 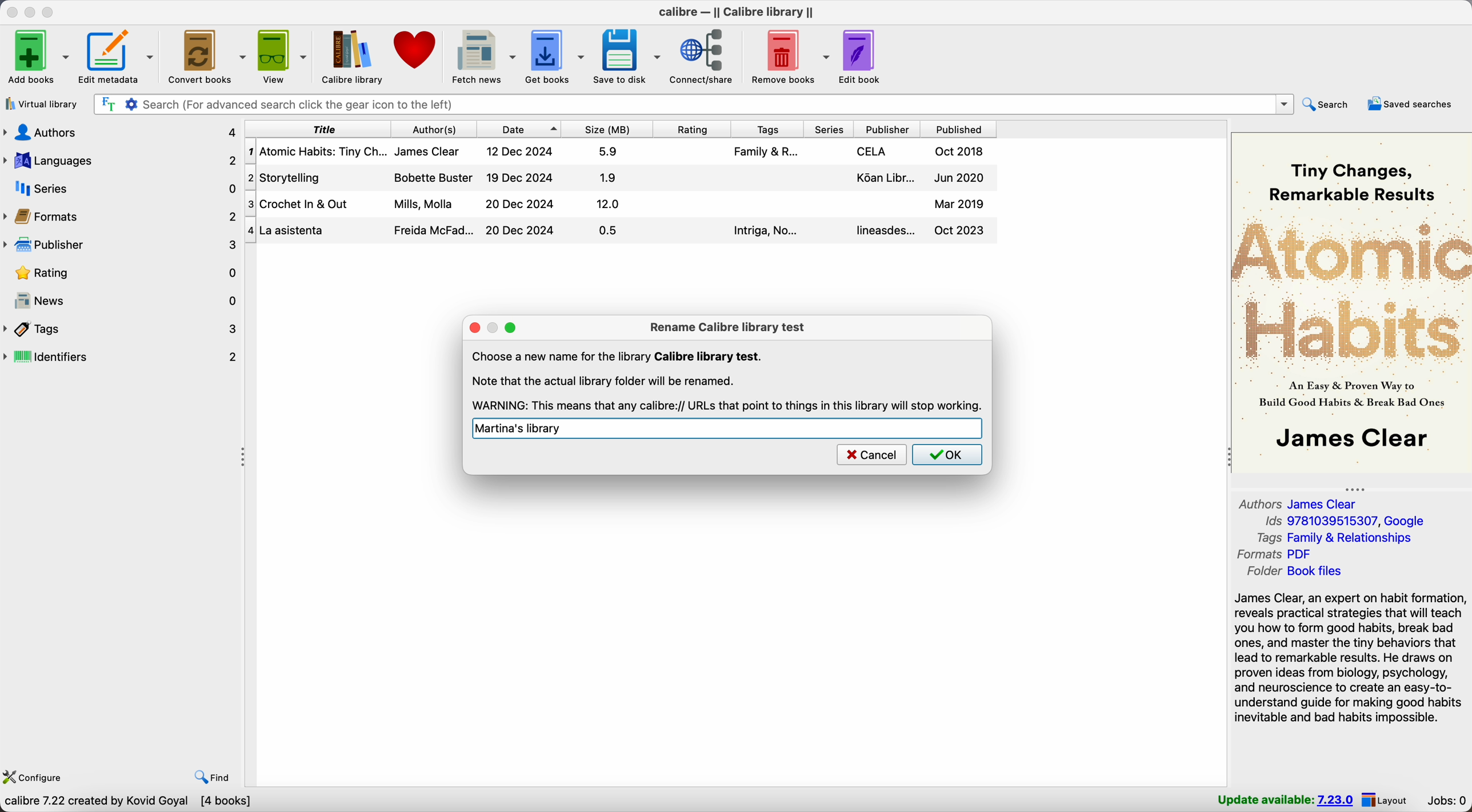 What do you see at coordinates (50, 11) in the screenshot?
I see `maximize Calibre` at bounding box center [50, 11].